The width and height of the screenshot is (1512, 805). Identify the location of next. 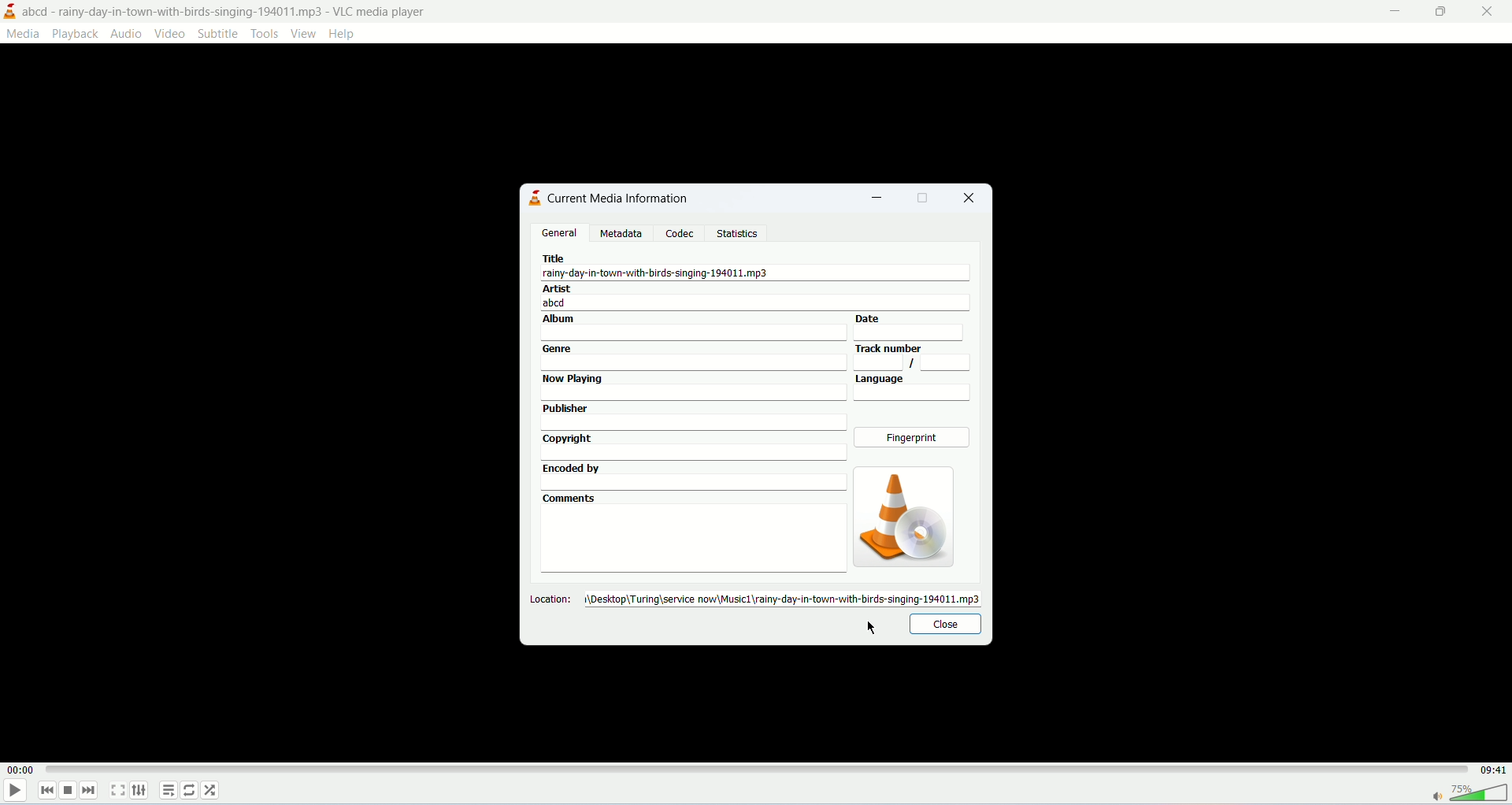
(92, 792).